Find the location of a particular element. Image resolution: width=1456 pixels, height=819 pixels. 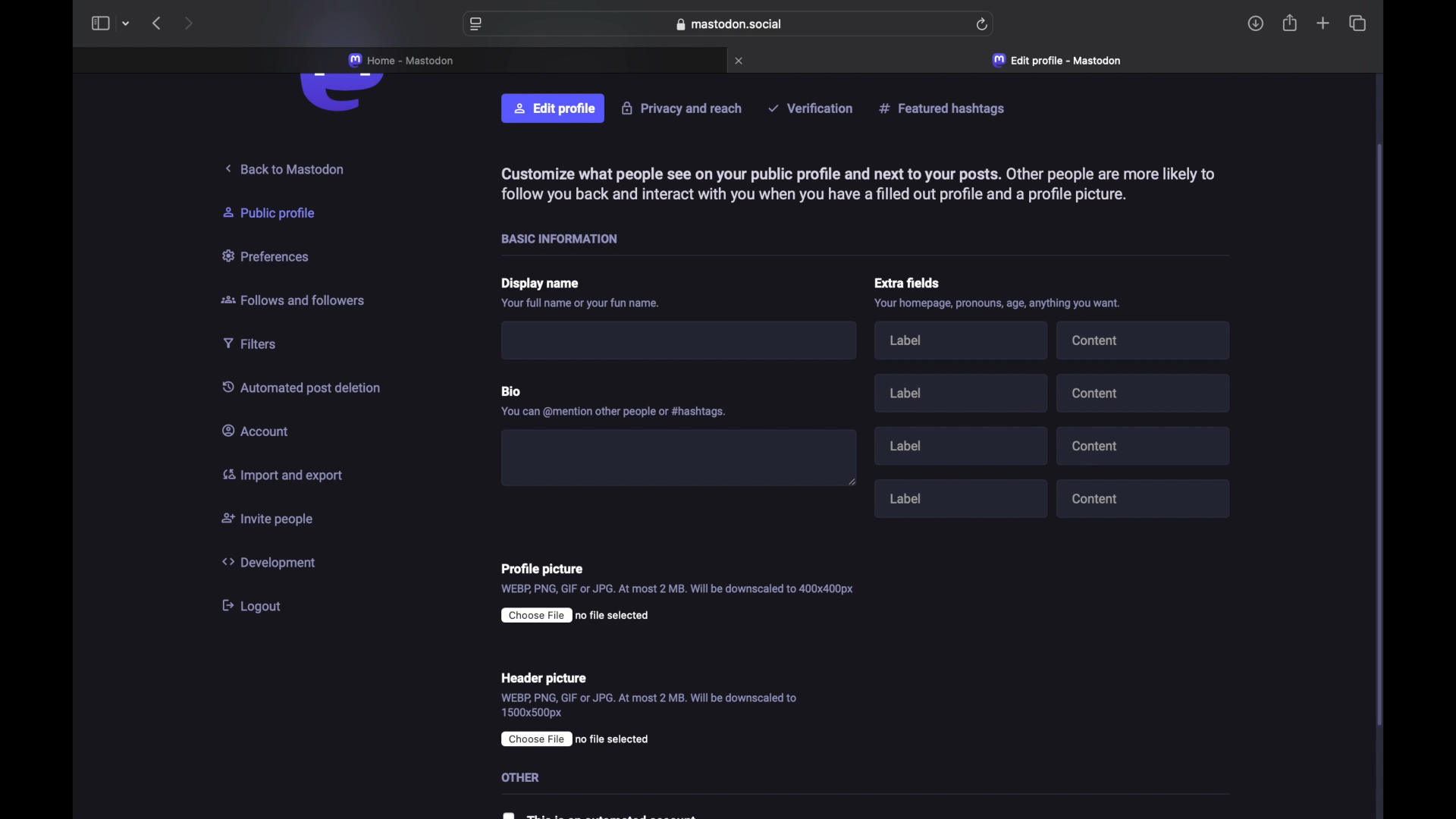

invite people is located at coordinates (269, 519).